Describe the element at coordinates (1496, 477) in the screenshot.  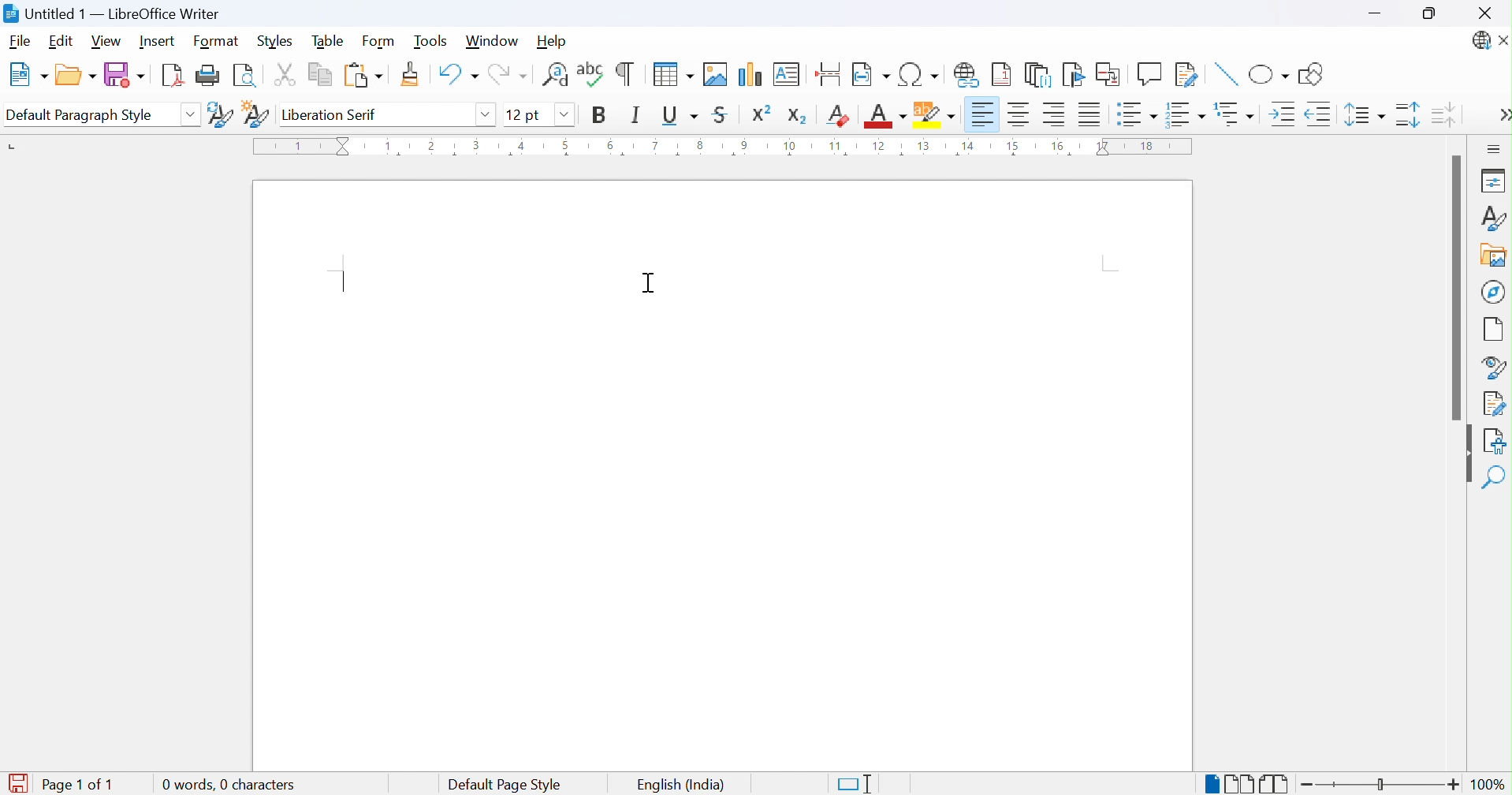
I see `Find` at that location.